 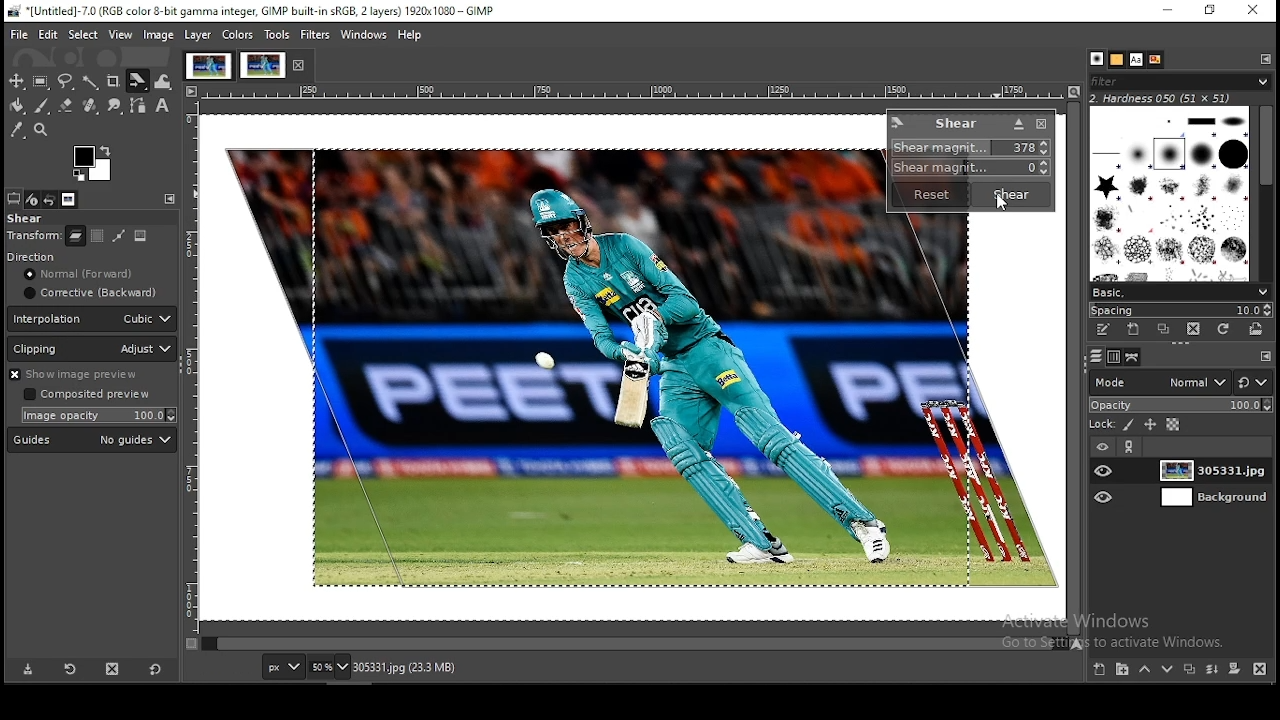 I want to click on selection, so click(x=96, y=236).